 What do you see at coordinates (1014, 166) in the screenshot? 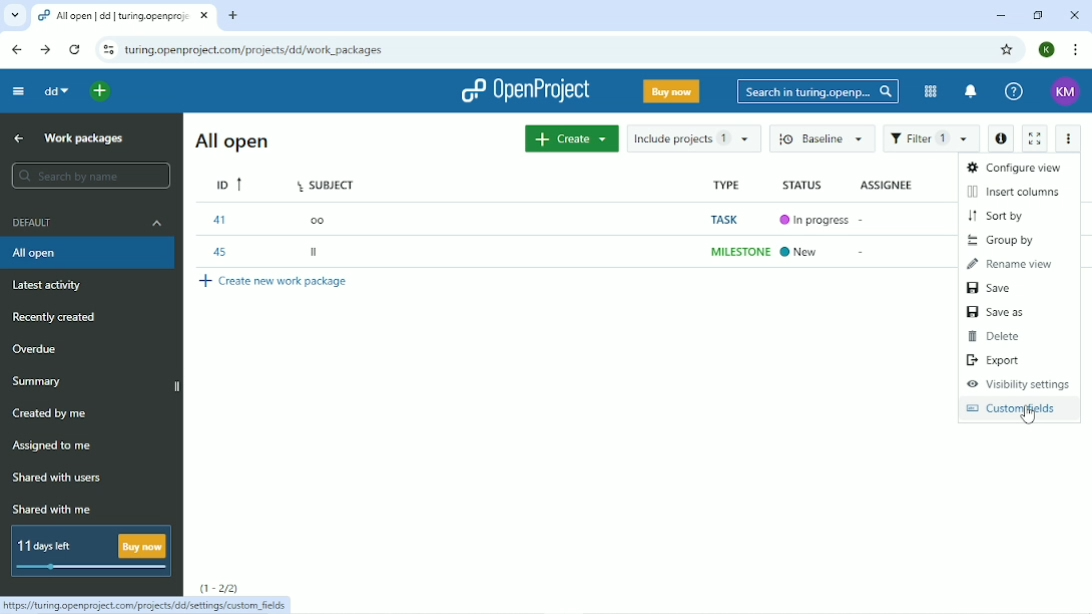
I see `Configure view` at bounding box center [1014, 166].